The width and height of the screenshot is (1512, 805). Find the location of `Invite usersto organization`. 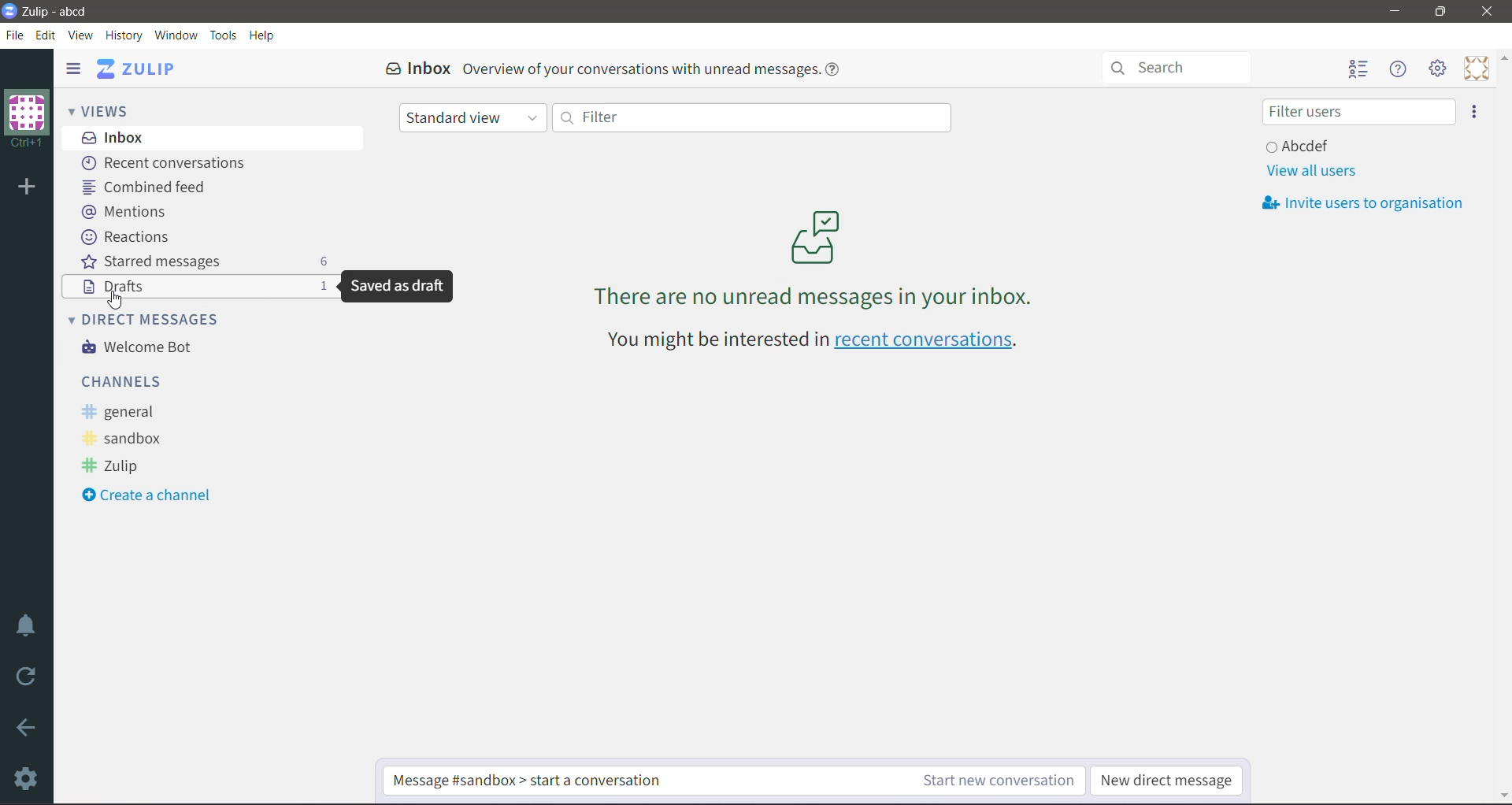

Invite usersto organization is located at coordinates (1369, 203).